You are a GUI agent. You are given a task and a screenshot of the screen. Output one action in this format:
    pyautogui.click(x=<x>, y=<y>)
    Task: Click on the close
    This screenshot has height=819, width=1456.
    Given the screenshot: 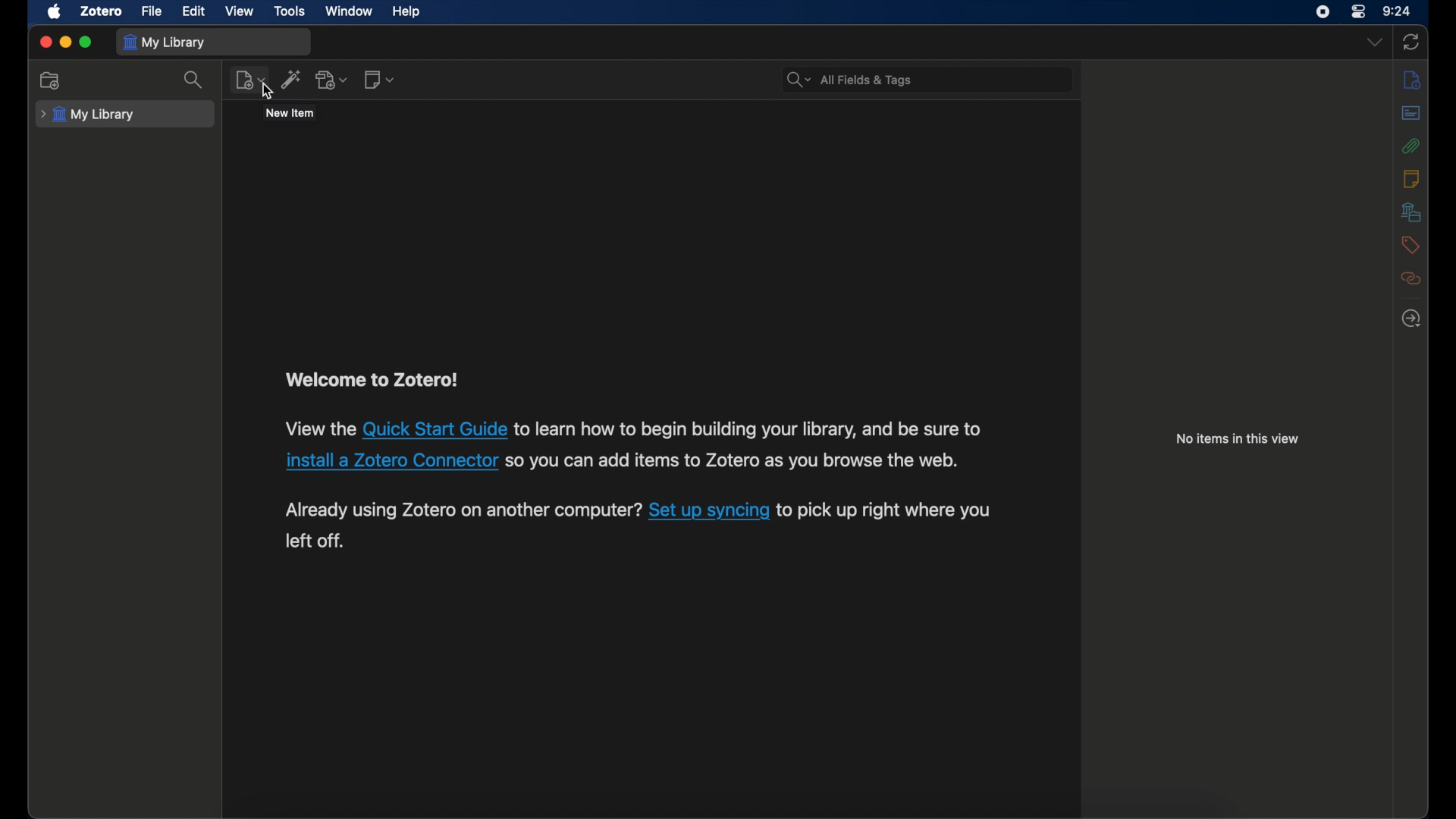 What is the action you would take?
    pyautogui.click(x=46, y=42)
    